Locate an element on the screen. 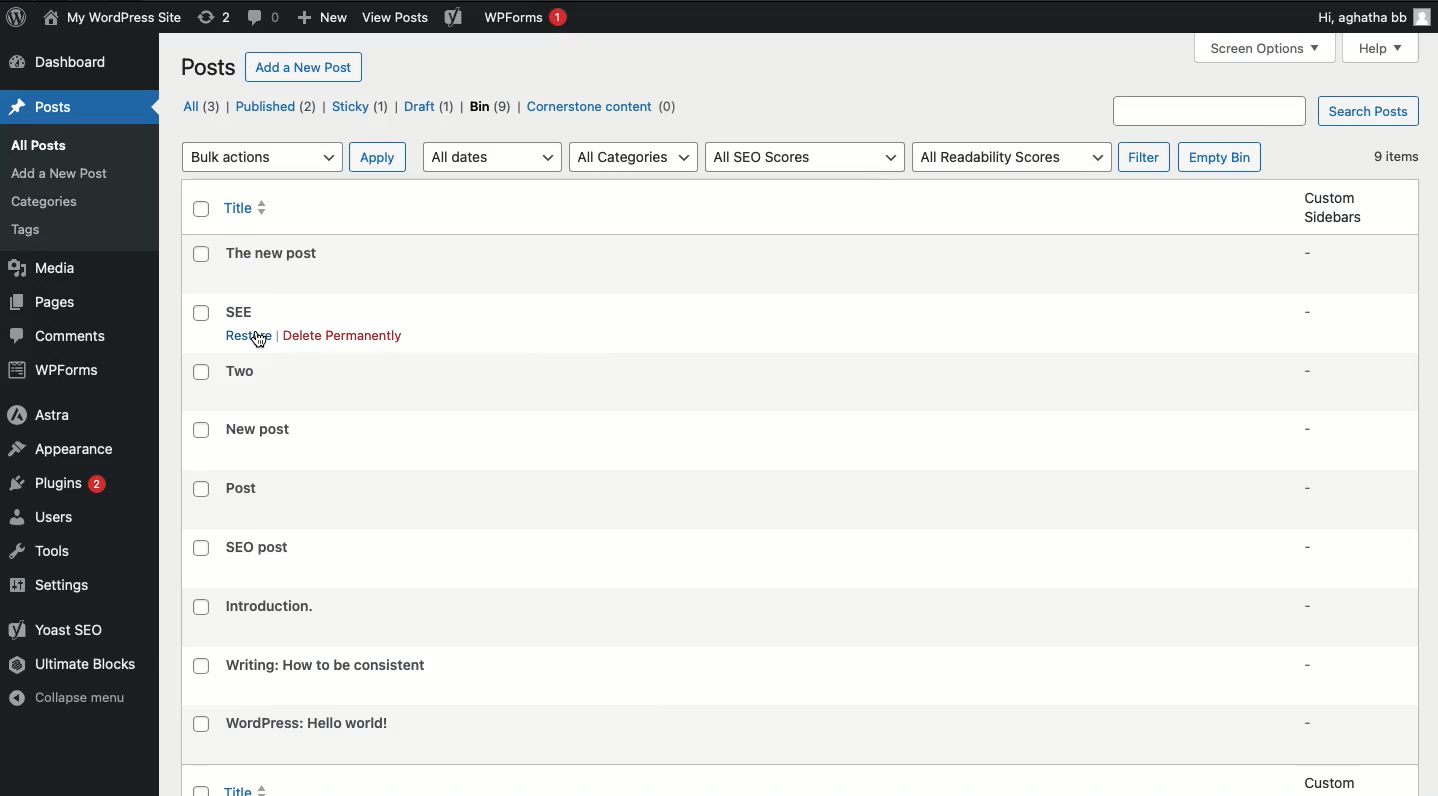 Image resolution: width=1438 pixels, height=796 pixels. Checkbox is located at coordinates (203, 314).